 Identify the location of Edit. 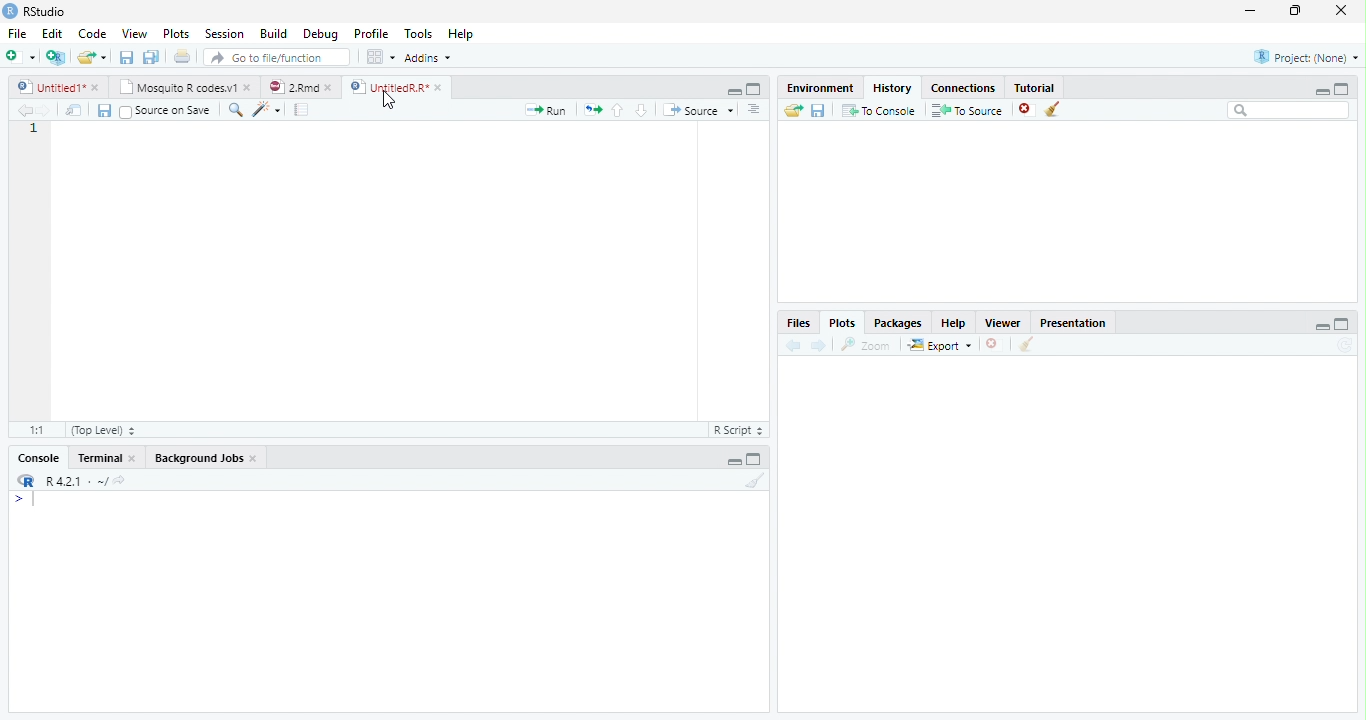
(55, 36).